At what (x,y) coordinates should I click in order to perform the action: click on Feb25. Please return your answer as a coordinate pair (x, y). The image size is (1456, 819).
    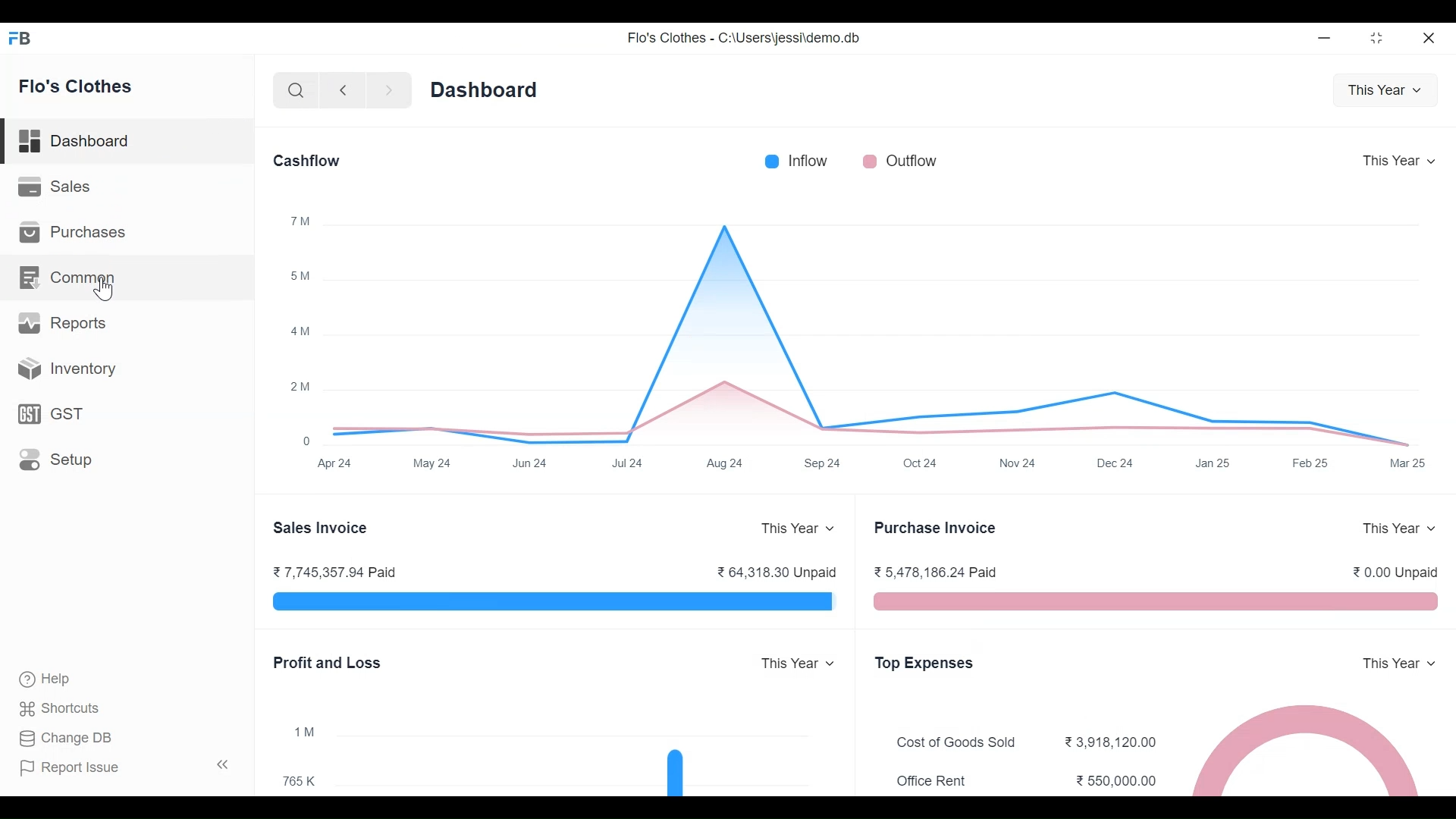
    Looking at the image, I should click on (1310, 463).